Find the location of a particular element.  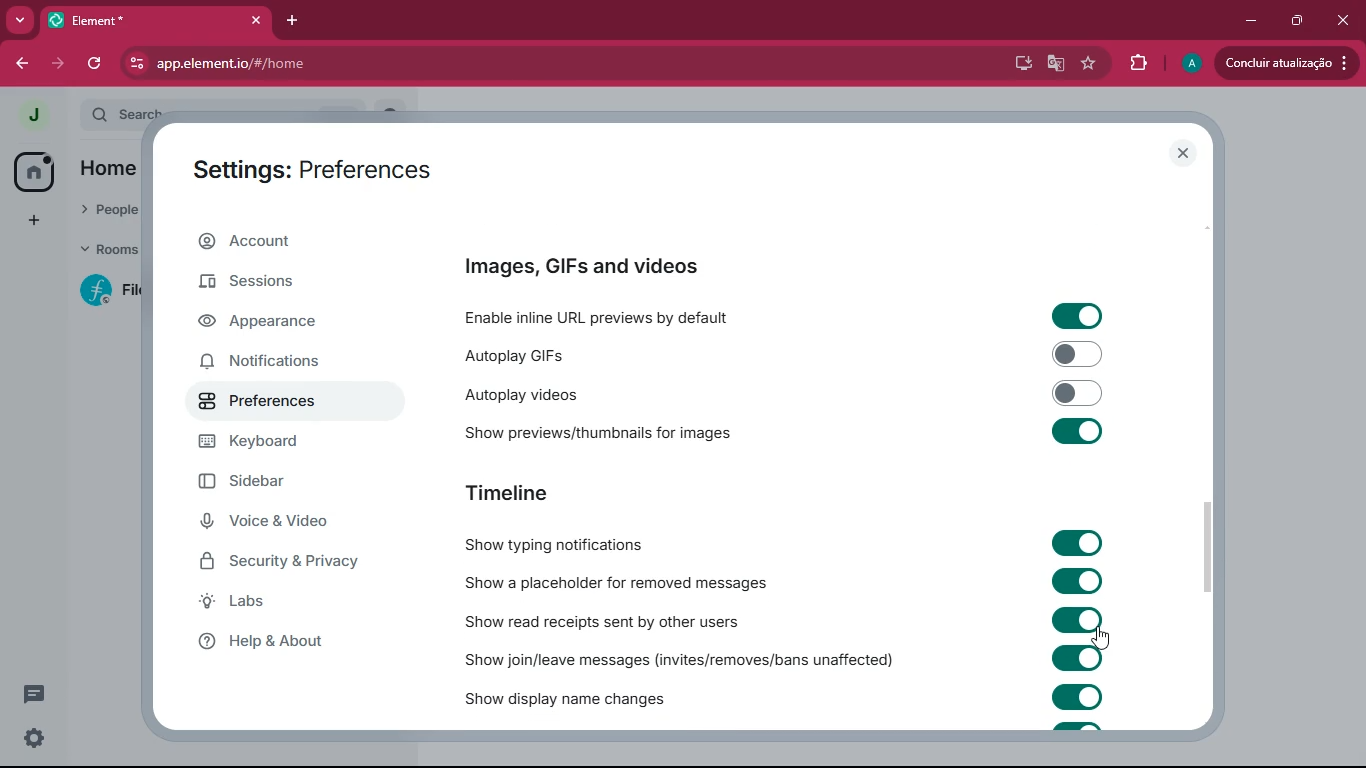

extensions is located at coordinates (1140, 63).